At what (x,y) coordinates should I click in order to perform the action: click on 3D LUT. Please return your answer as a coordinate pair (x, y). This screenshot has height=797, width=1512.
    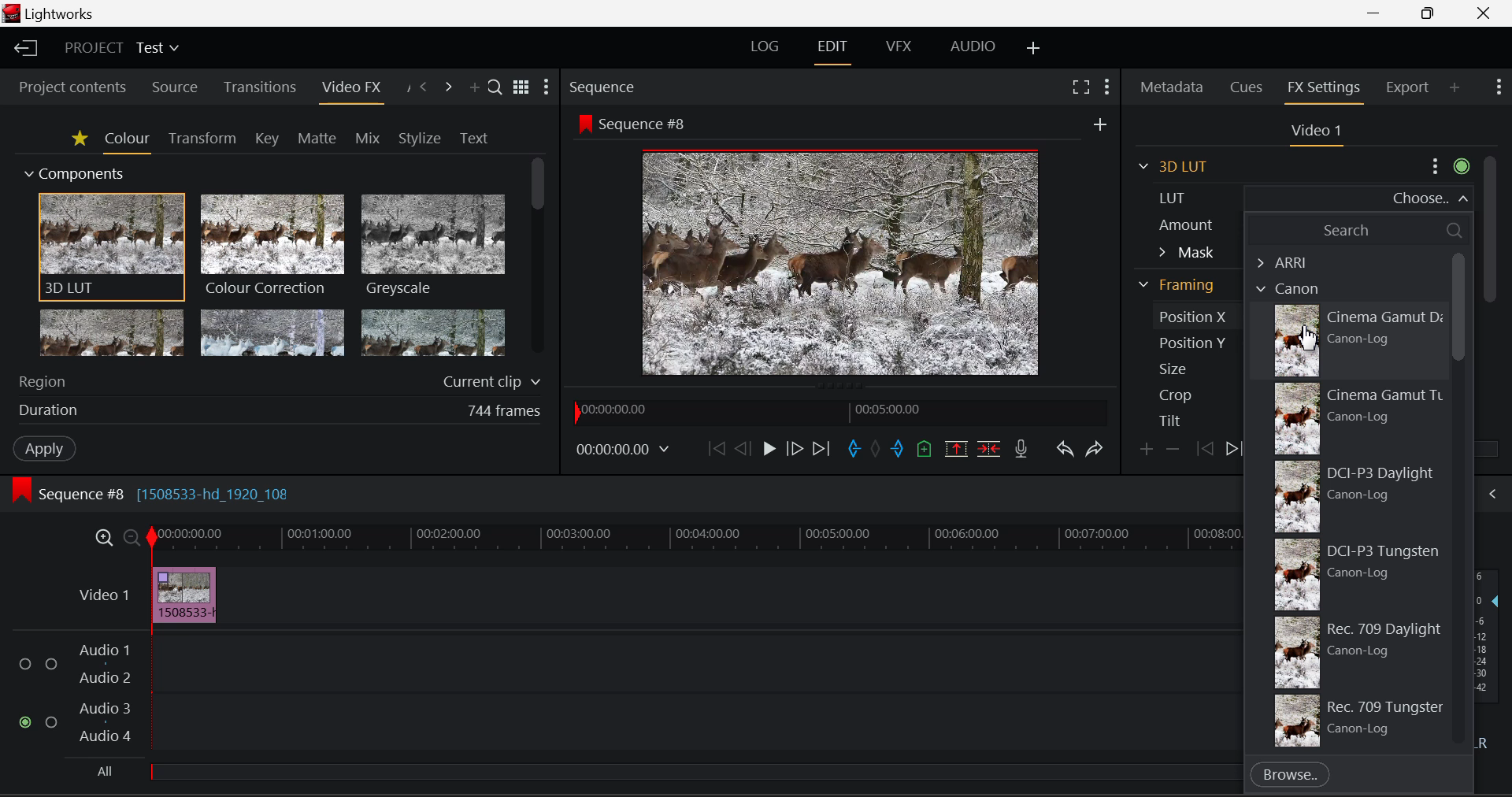
    Looking at the image, I should click on (109, 247).